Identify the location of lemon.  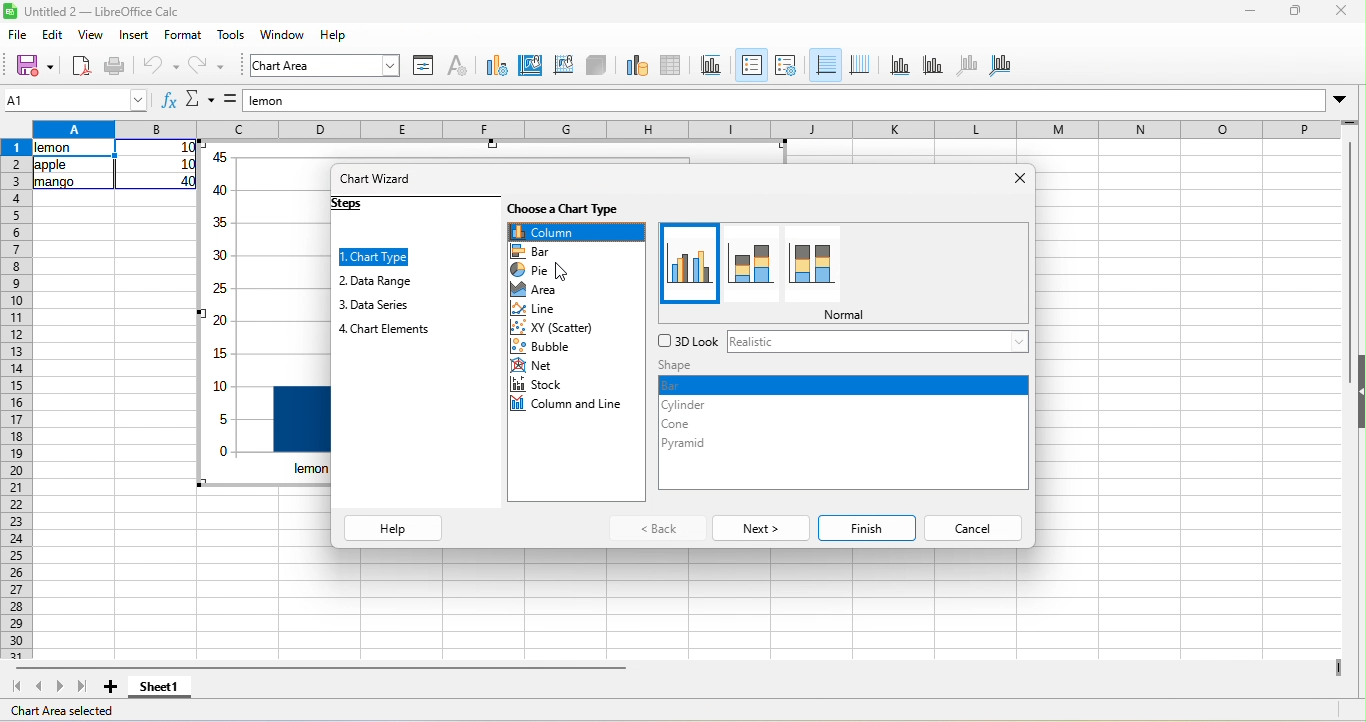
(783, 101).